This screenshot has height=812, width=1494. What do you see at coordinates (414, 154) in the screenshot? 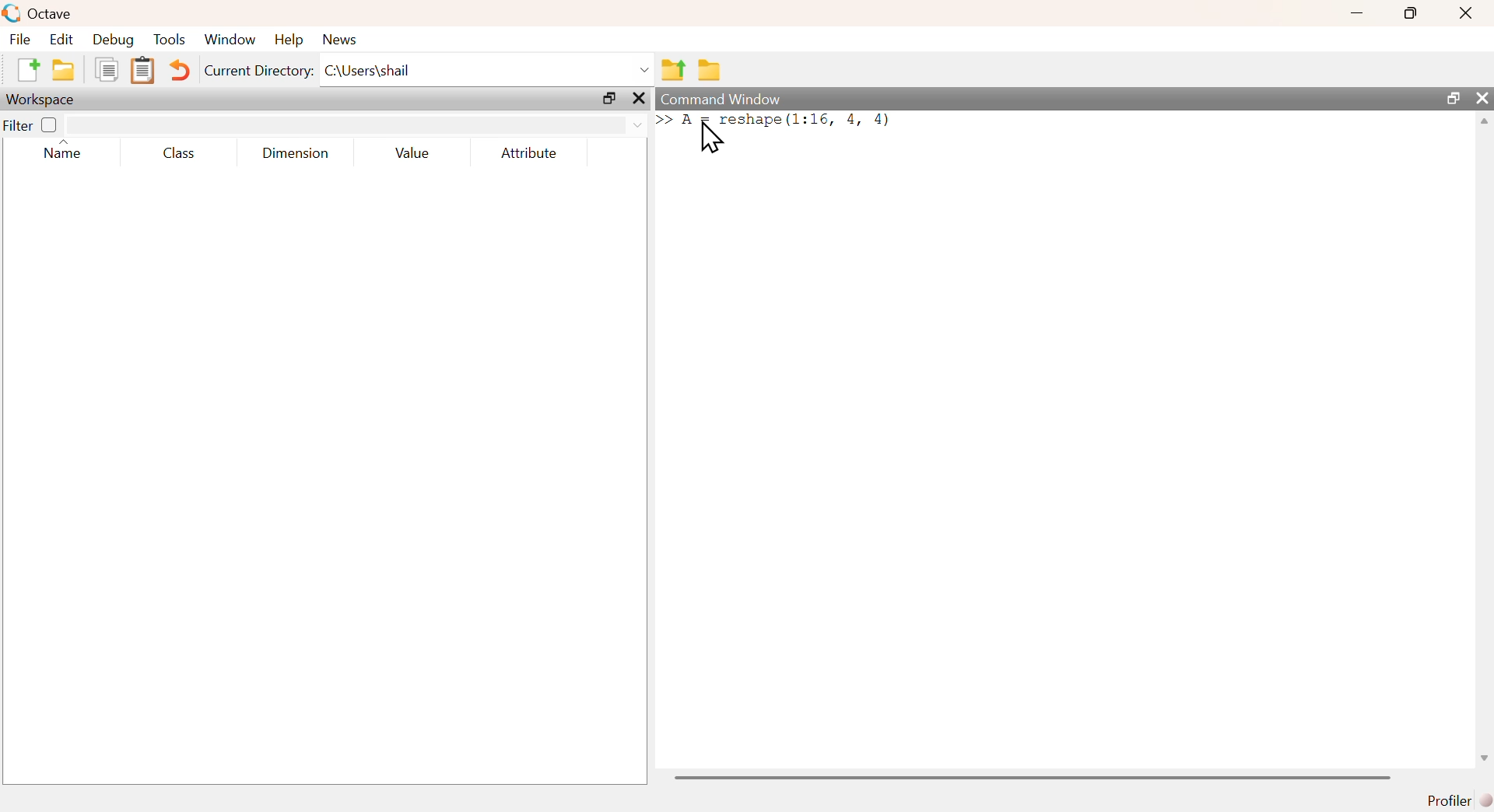
I see `value` at bounding box center [414, 154].